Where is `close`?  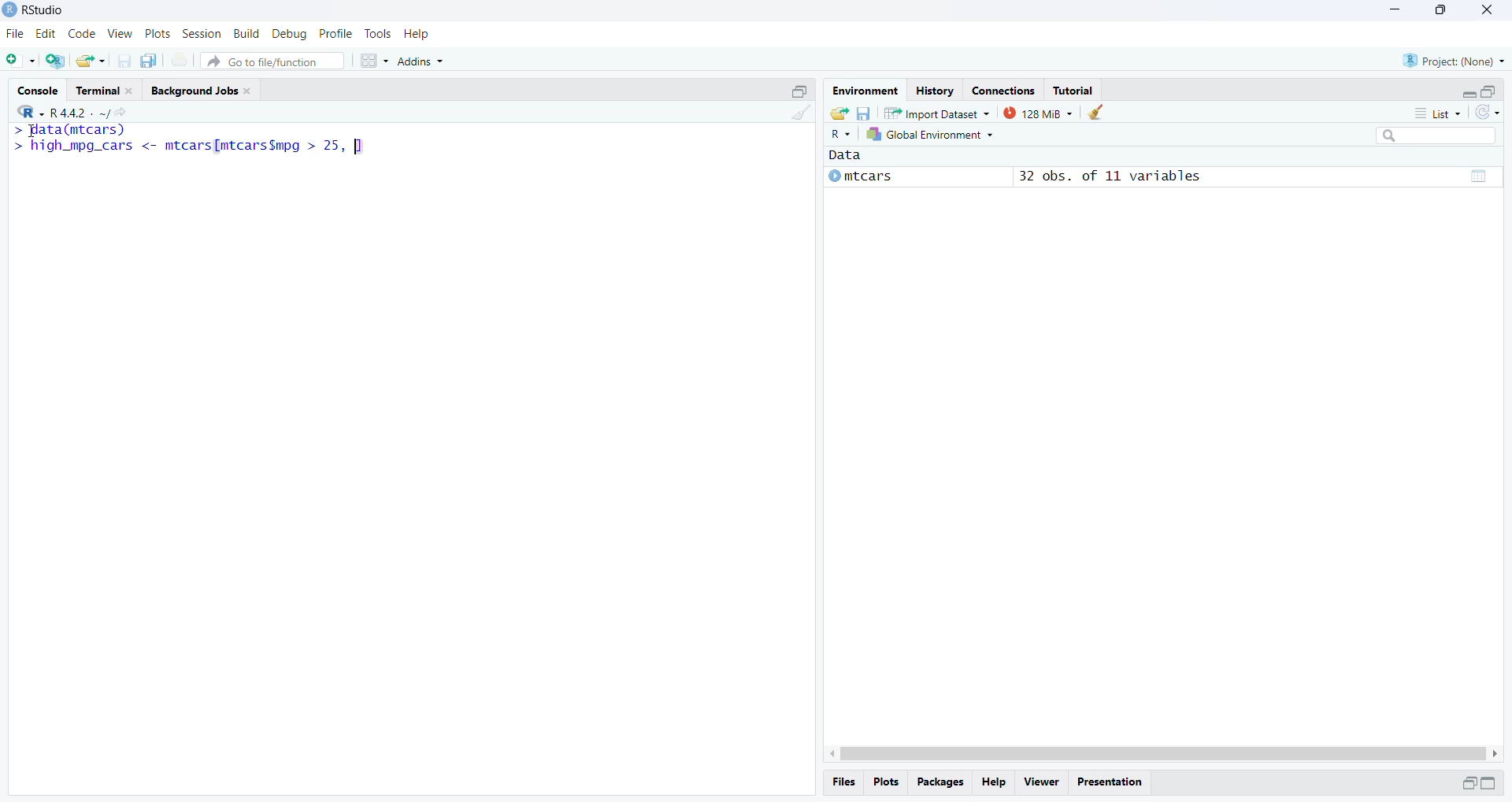
close is located at coordinates (1486, 12).